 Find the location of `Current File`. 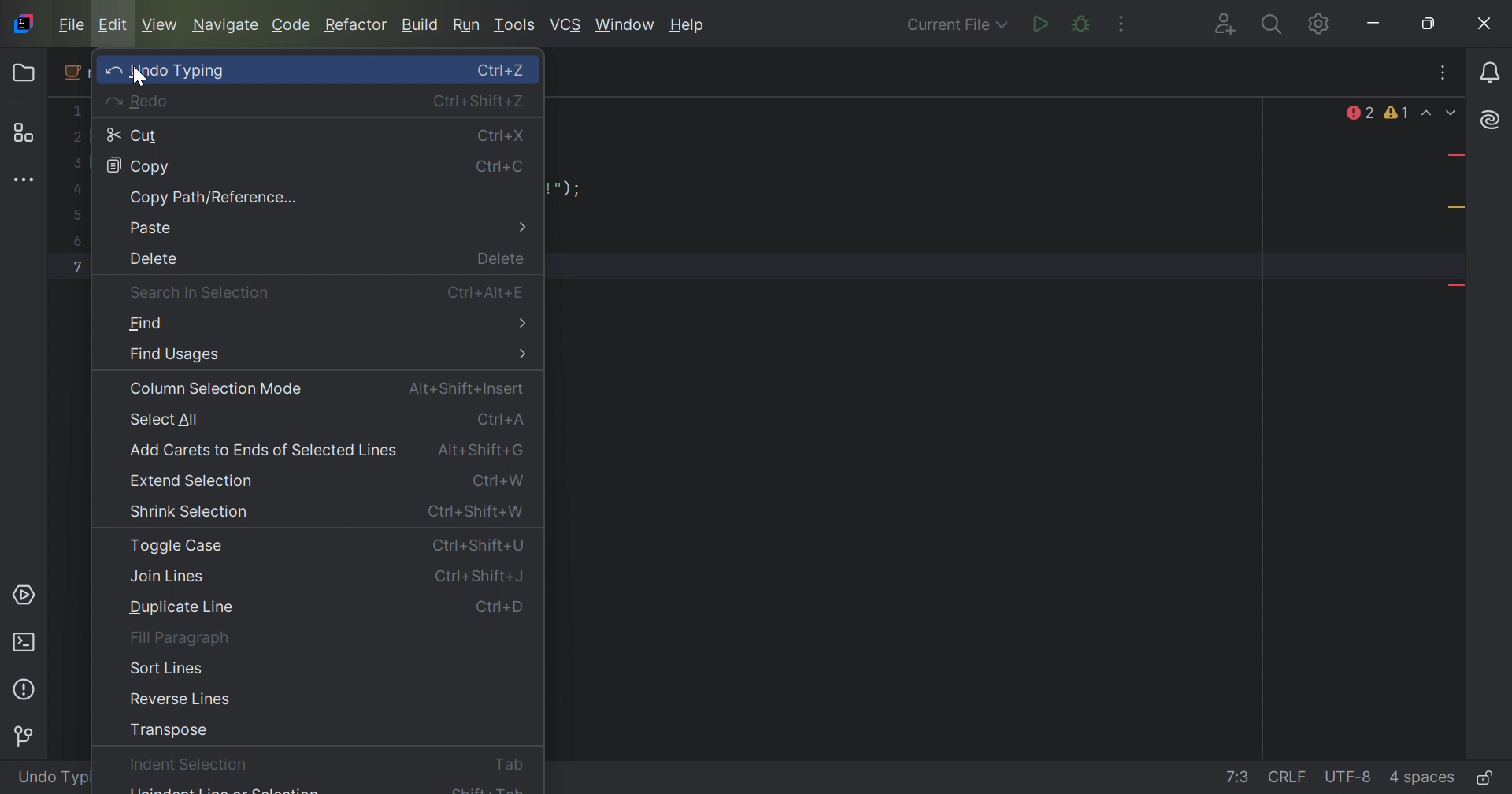

Current File is located at coordinates (958, 25).